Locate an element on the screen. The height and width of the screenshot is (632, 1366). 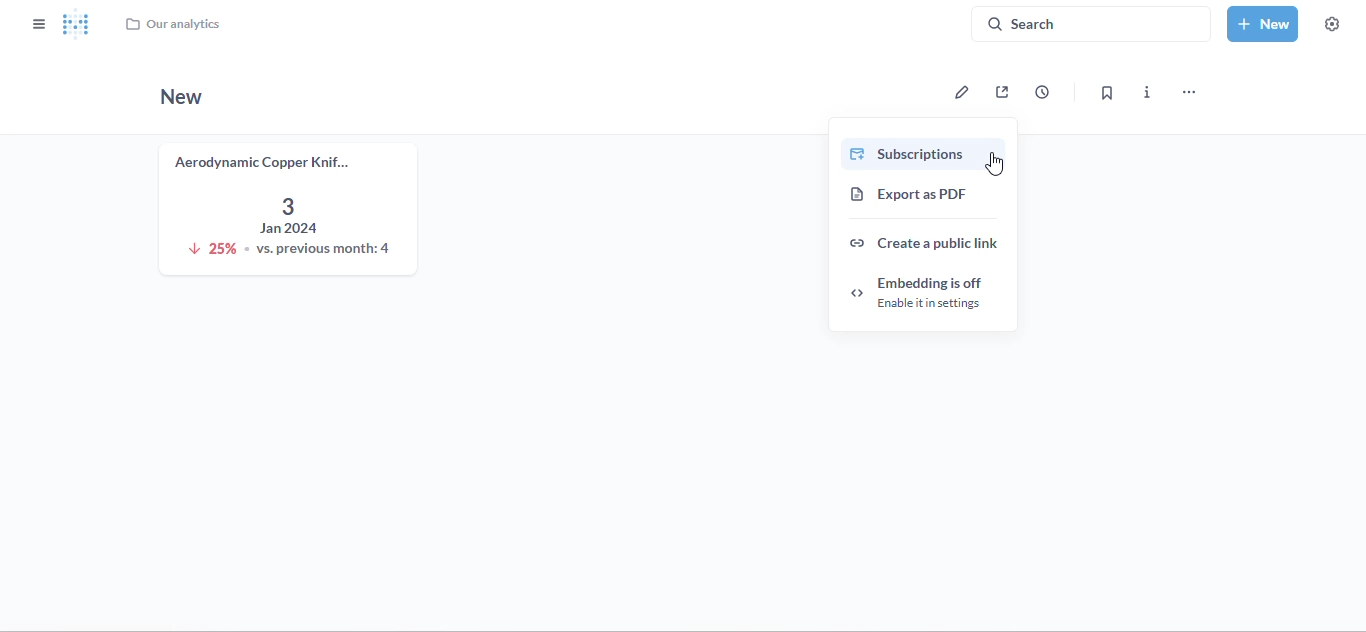
auto-refresh is located at coordinates (1042, 91).